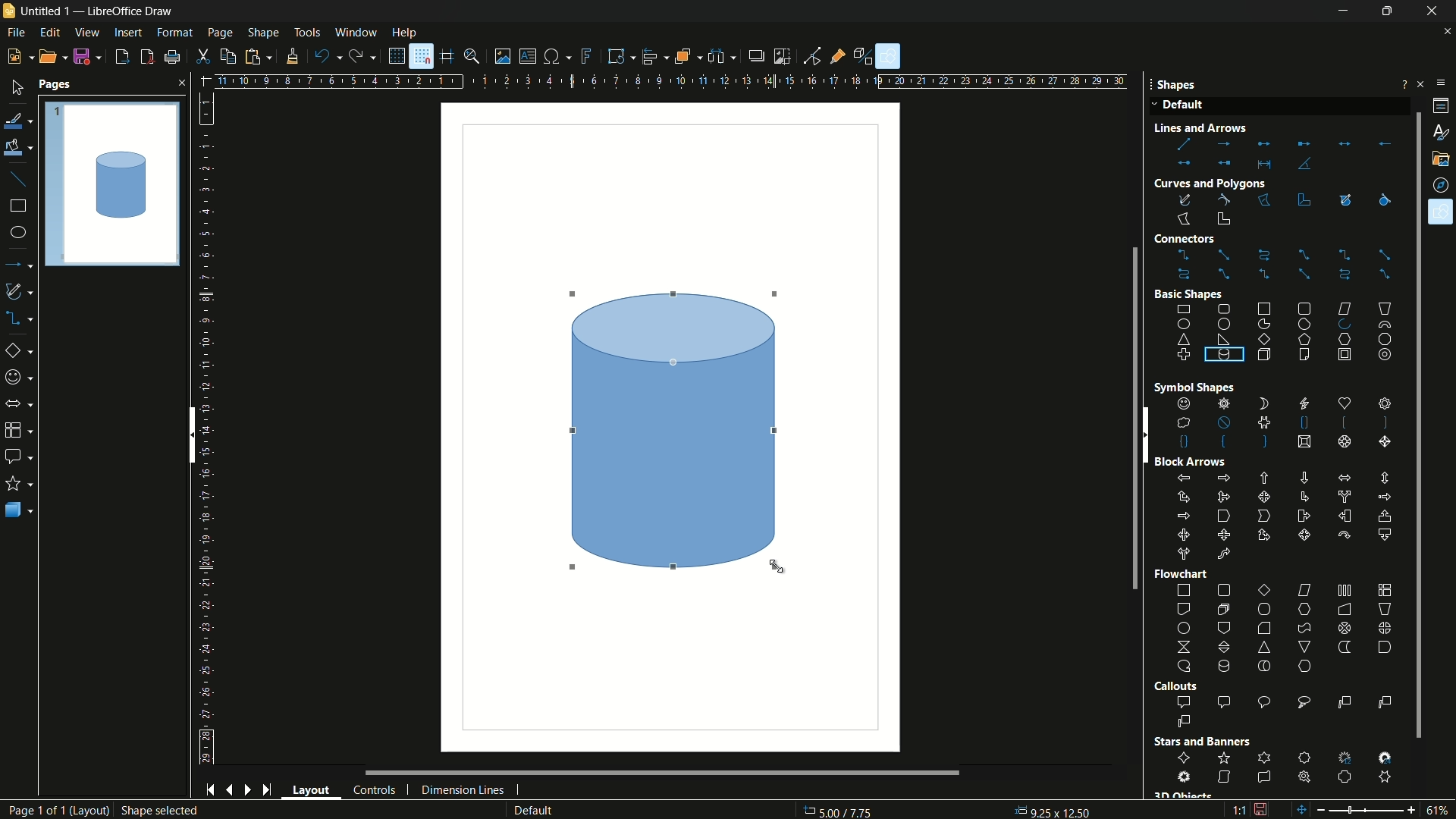 This screenshot has height=819, width=1456. What do you see at coordinates (147, 56) in the screenshot?
I see `export directly as pdf` at bounding box center [147, 56].